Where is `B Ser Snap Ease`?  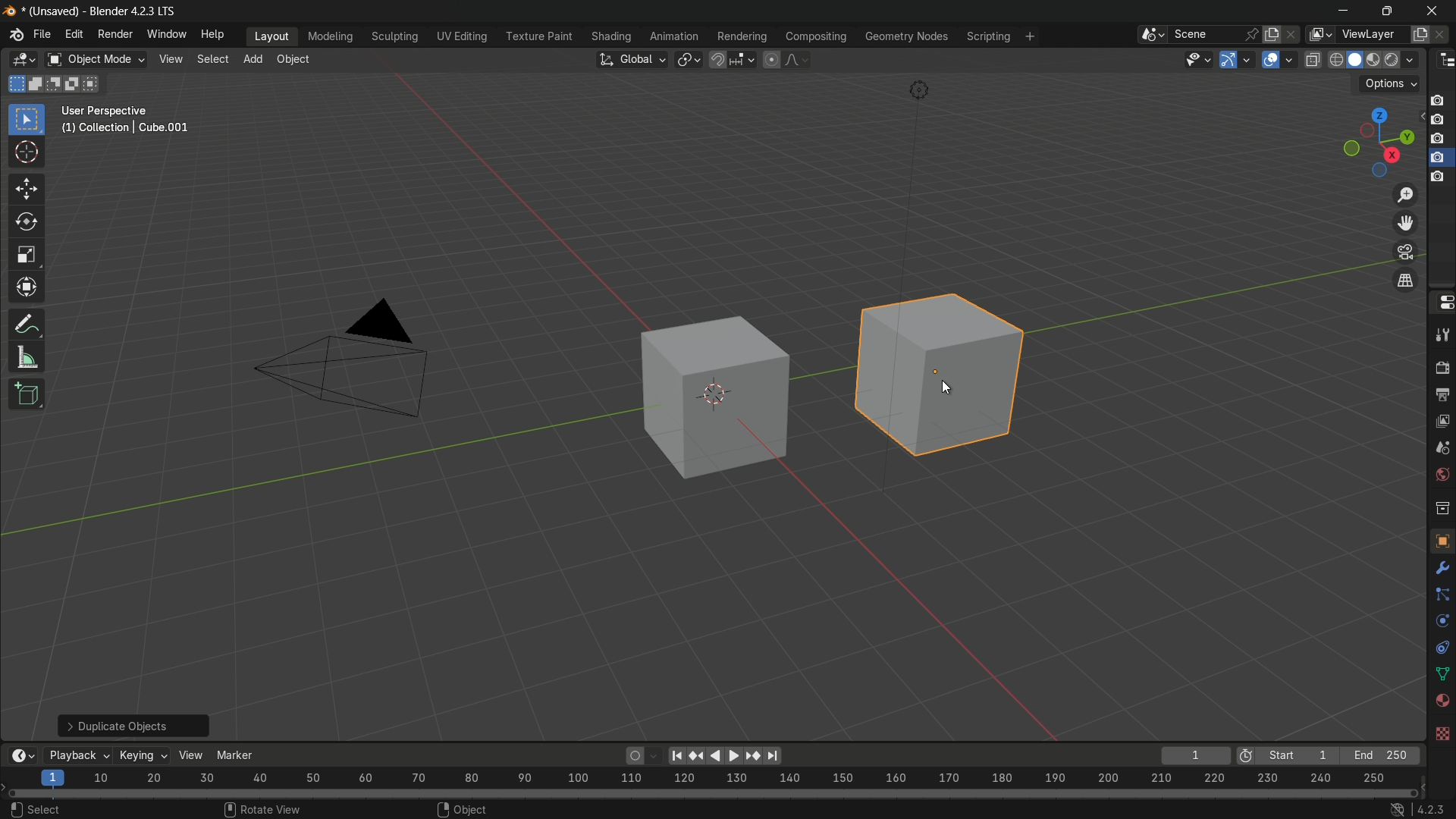
B Ser Snap Ease is located at coordinates (385, 808).